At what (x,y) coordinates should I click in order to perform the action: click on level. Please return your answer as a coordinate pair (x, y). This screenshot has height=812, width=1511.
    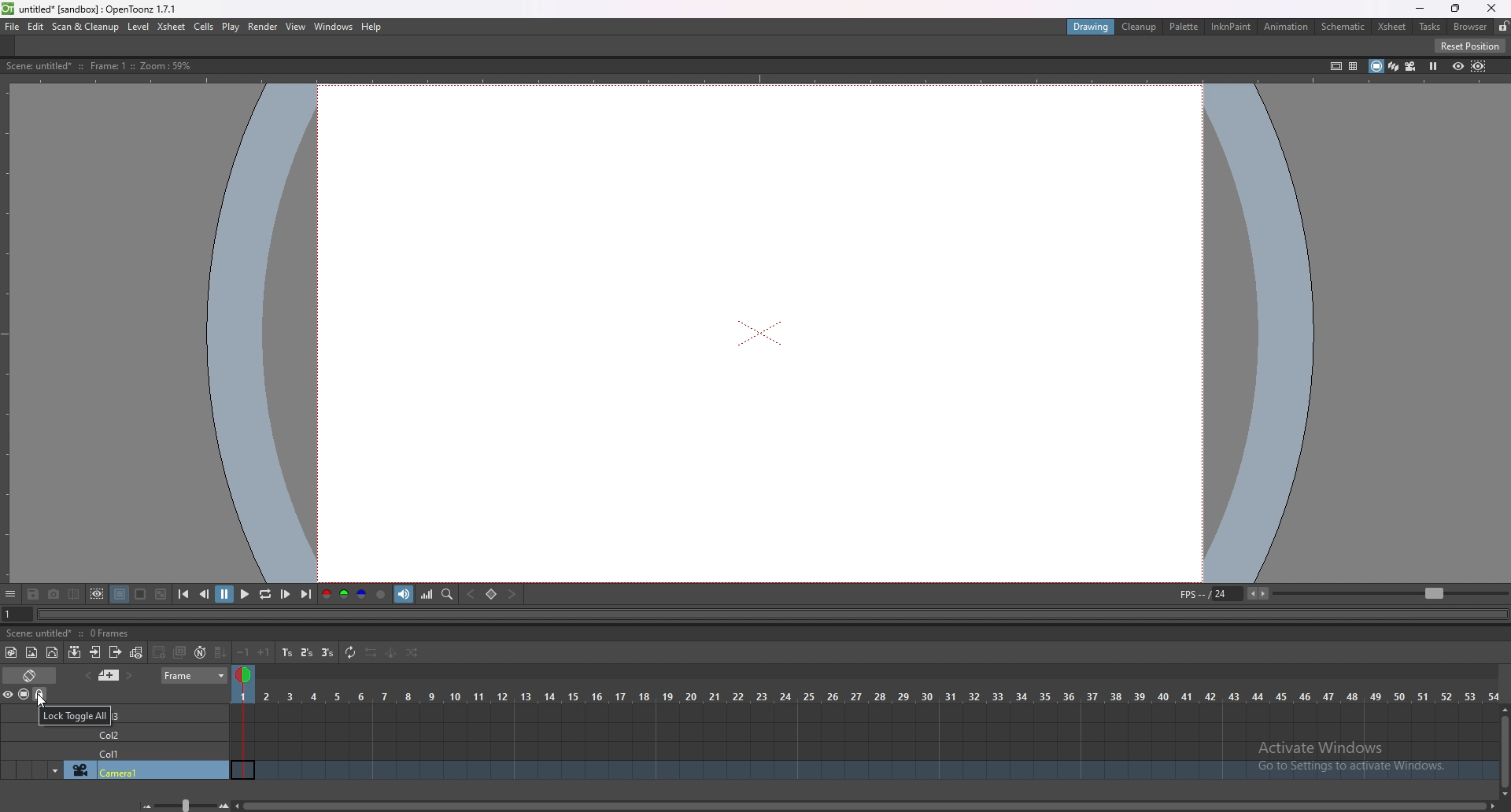
    Looking at the image, I should click on (139, 27).